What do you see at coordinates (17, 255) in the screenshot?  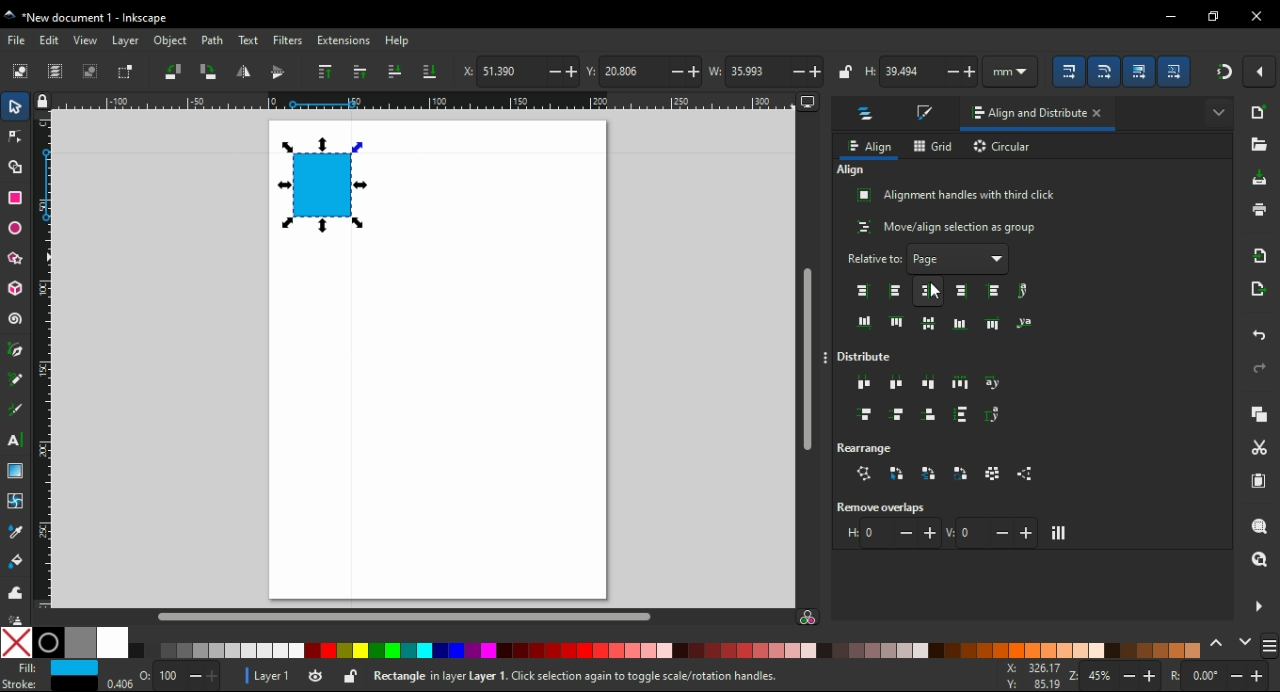 I see `star/polygon tools` at bounding box center [17, 255].